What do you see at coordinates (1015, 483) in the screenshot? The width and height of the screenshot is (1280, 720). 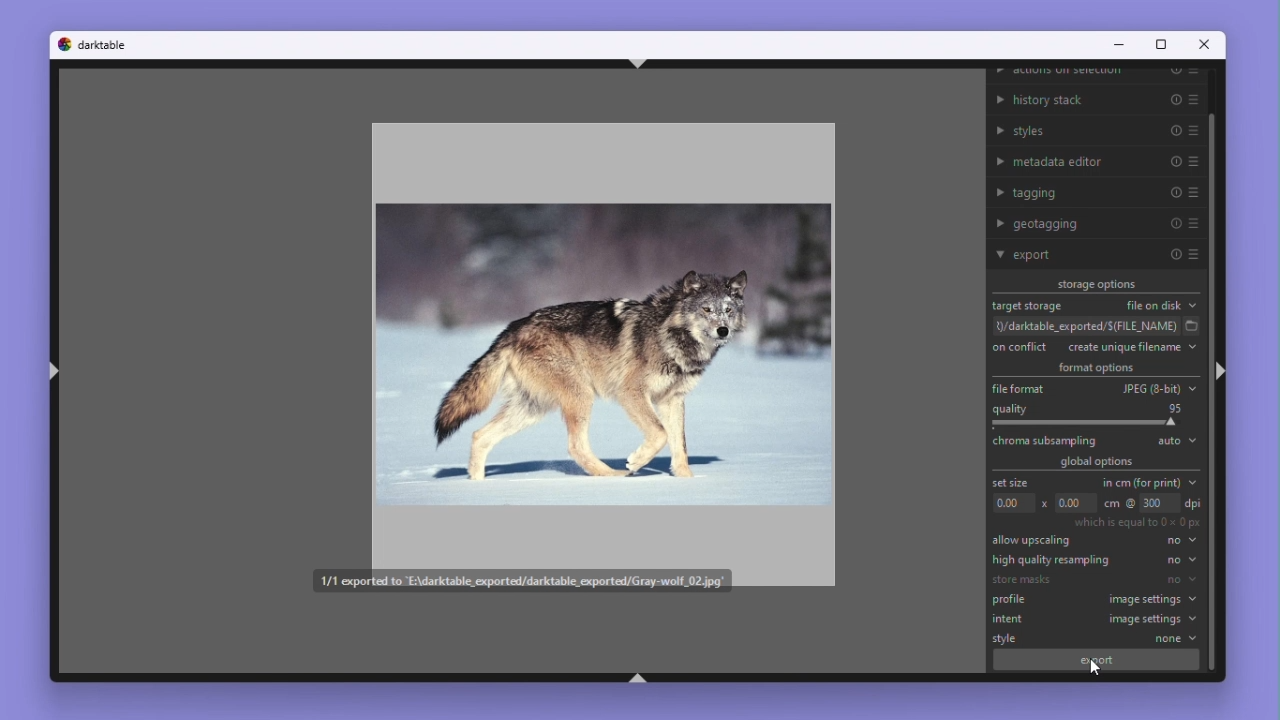 I see `Set size` at bounding box center [1015, 483].